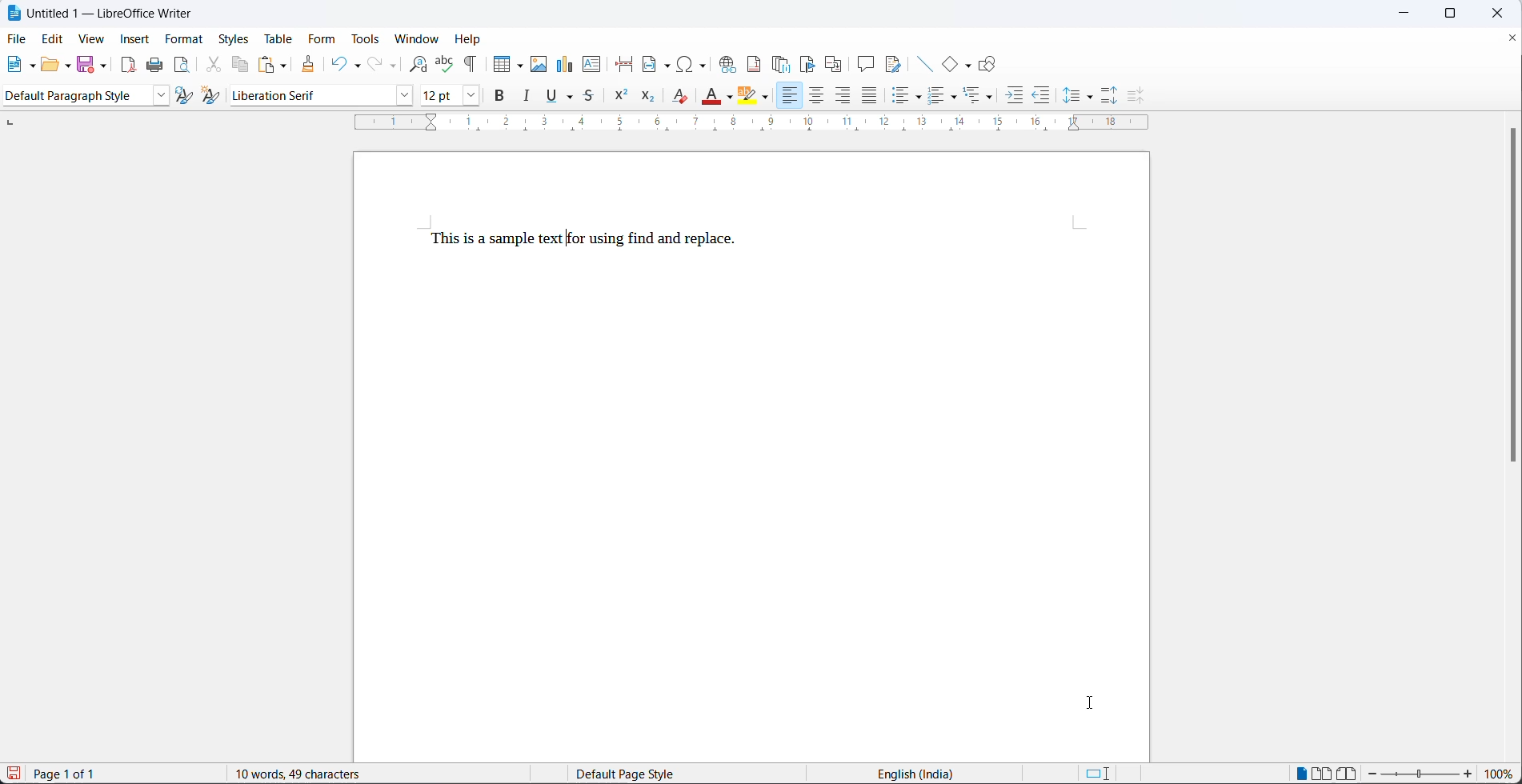 The width and height of the screenshot is (1522, 784). I want to click on open, so click(50, 66).